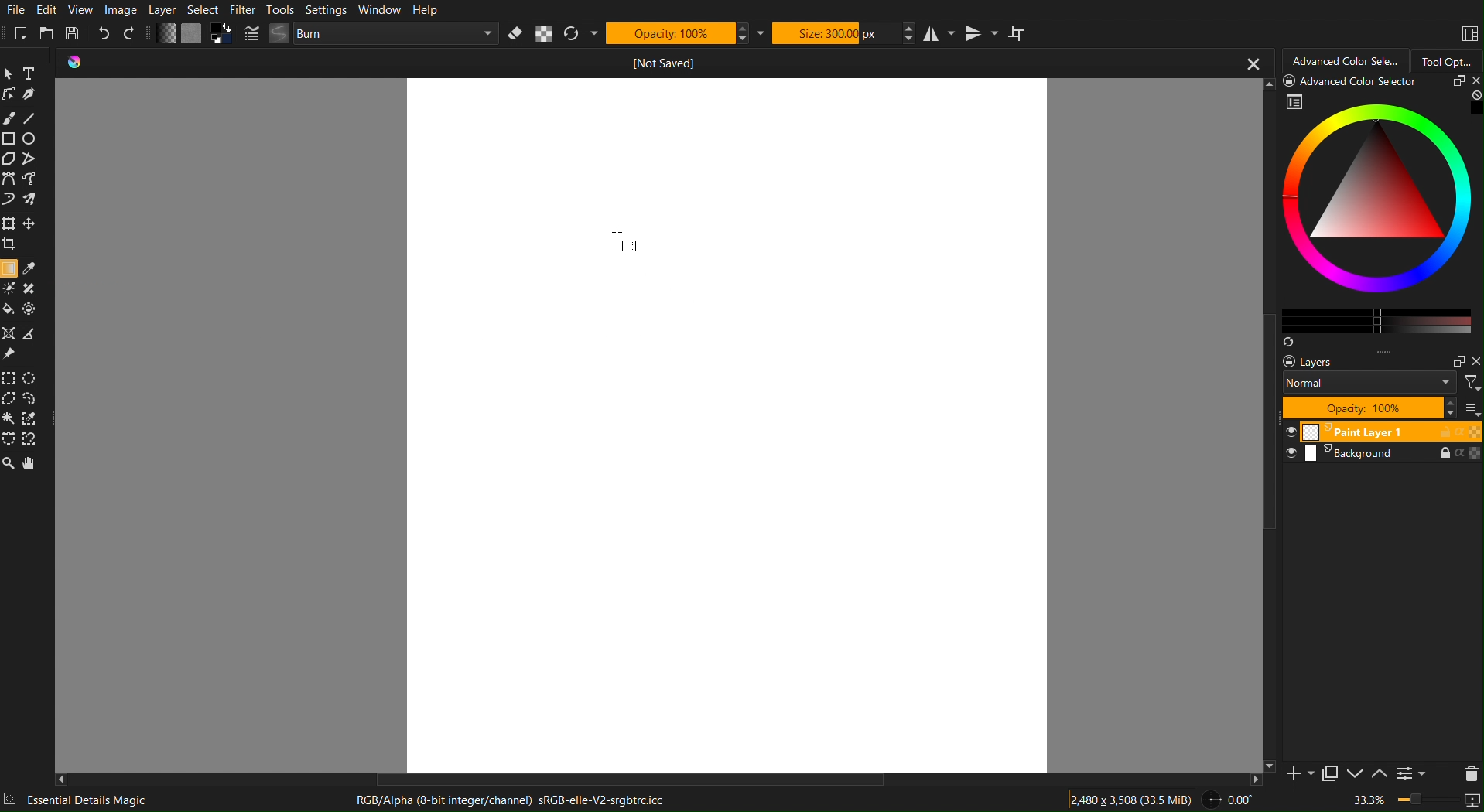  I want to click on Refresh, so click(581, 33).